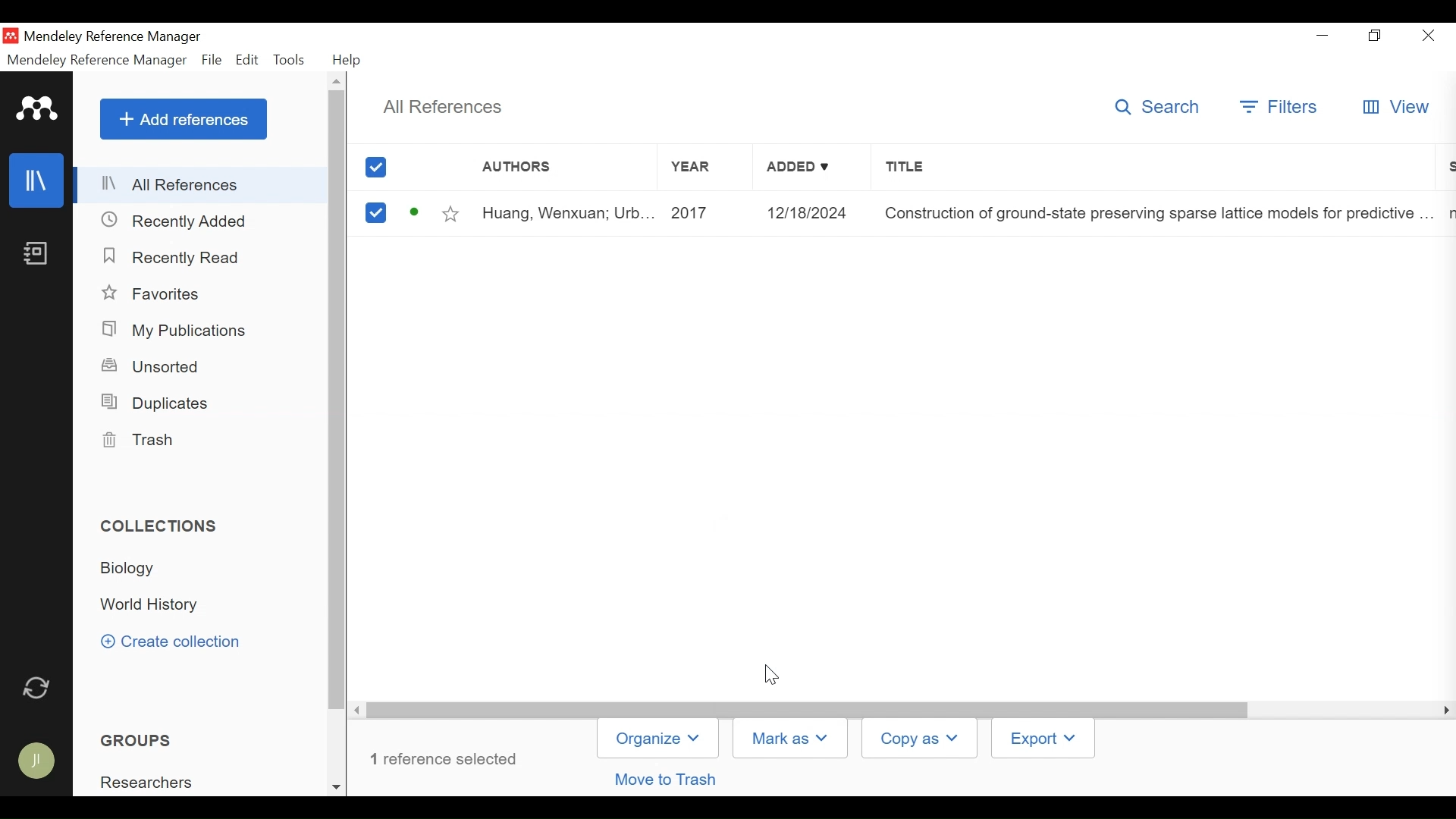  Describe the element at coordinates (180, 642) in the screenshot. I see `Create Collection` at that location.